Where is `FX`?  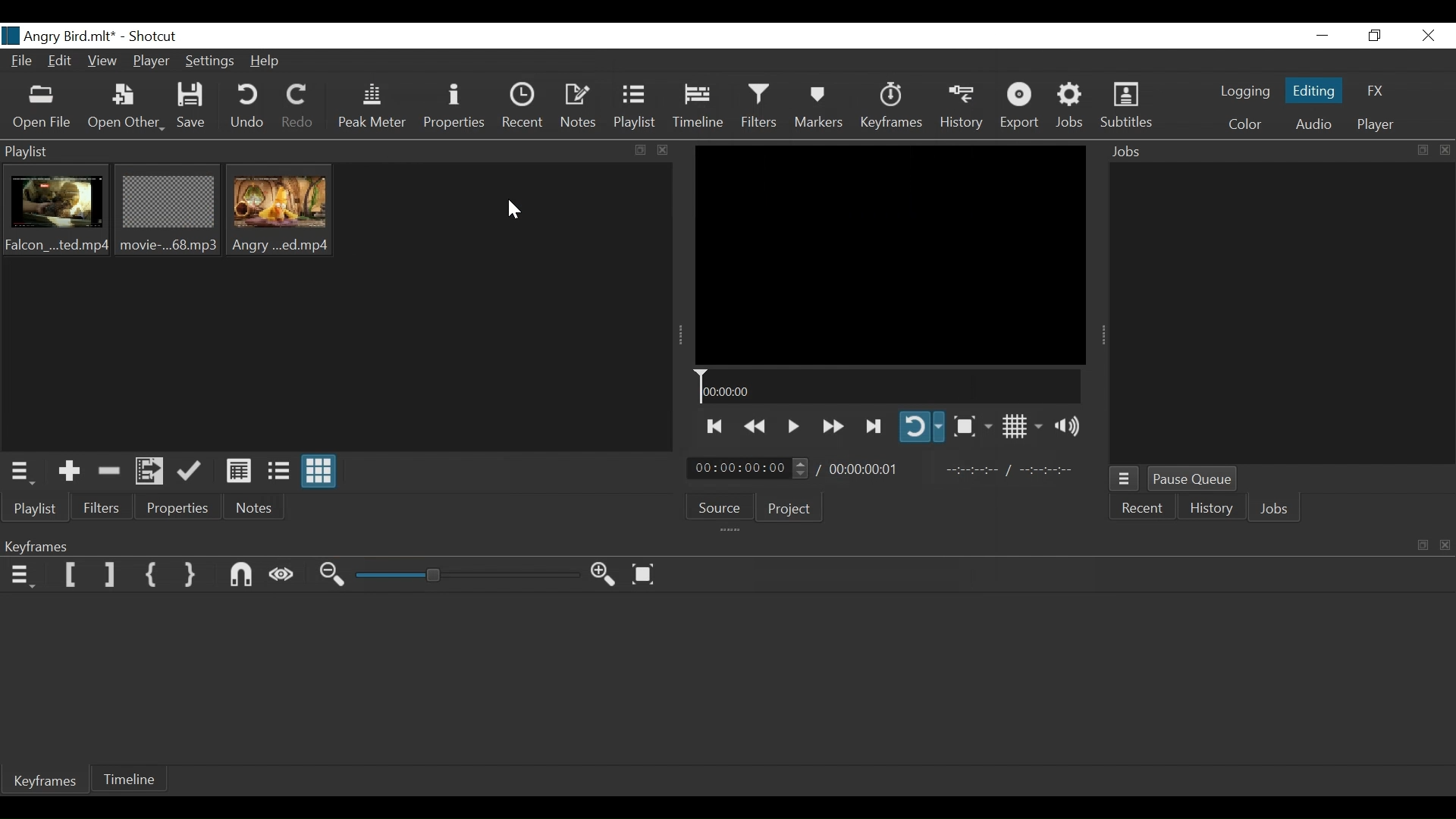 FX is located at coordinates (1380, 89).